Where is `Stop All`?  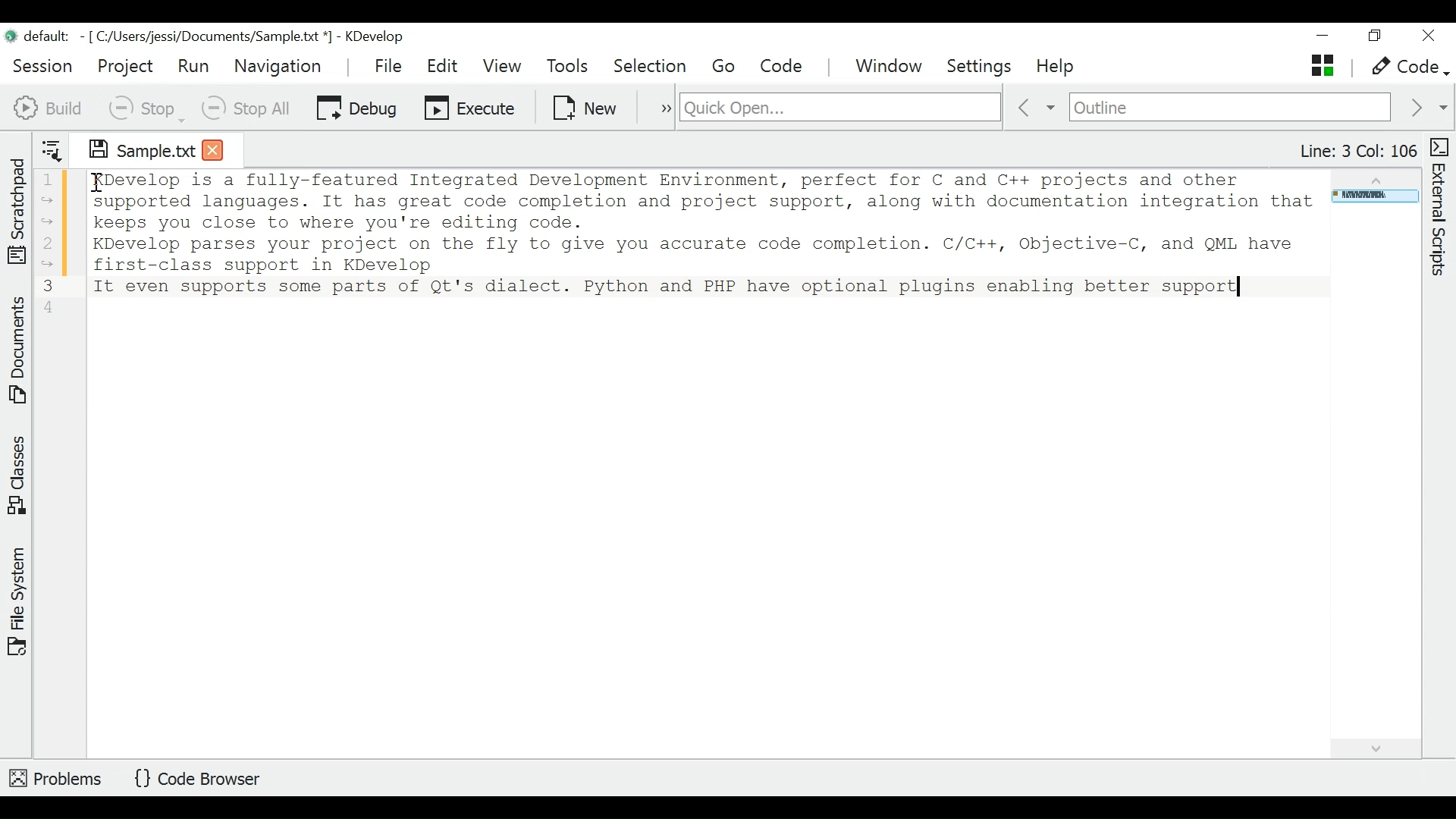 Stop All is located at coordinates (248, 108).